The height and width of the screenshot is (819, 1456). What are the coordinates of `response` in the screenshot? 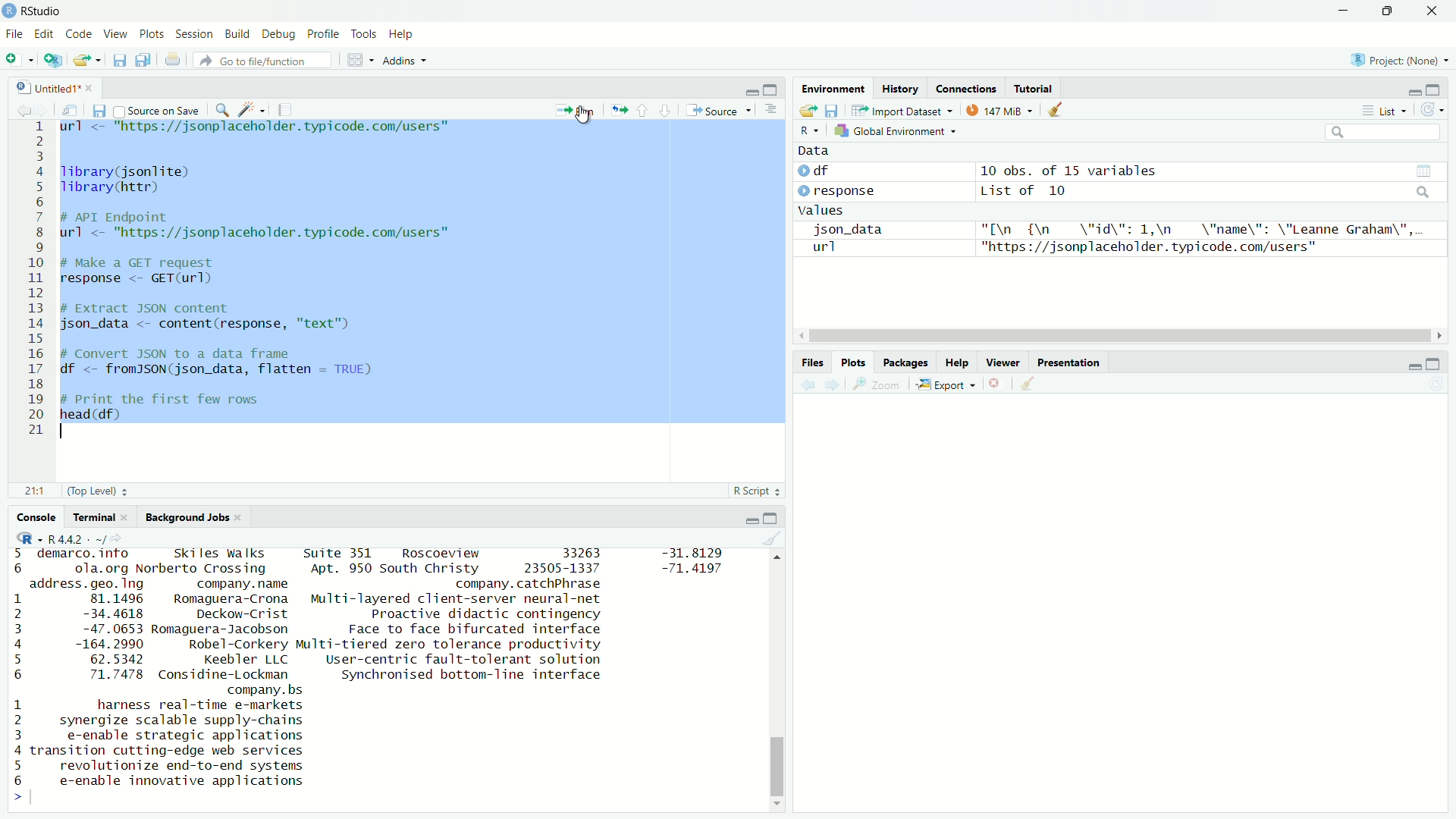 It's located at (839, 192).